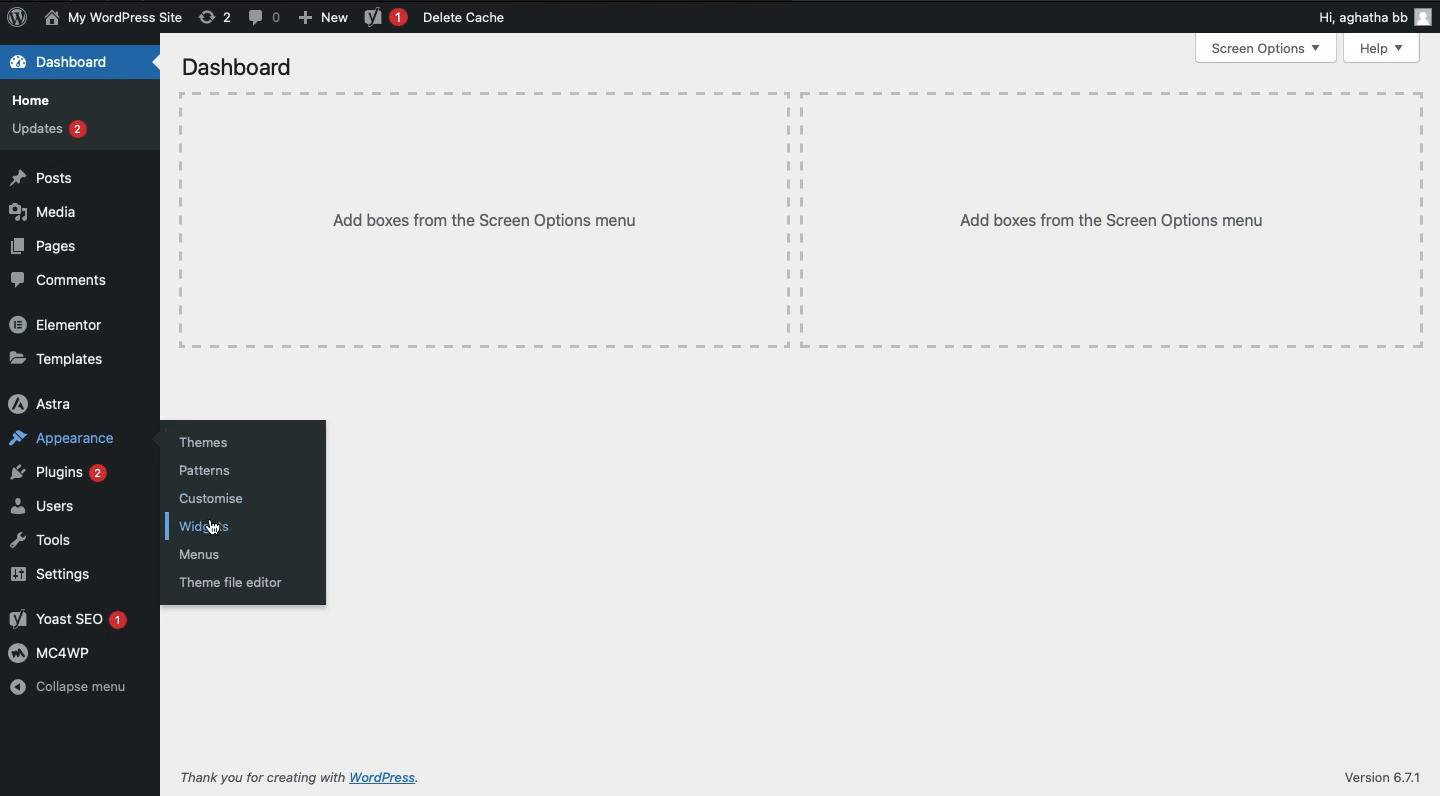 This screenshot has height=796, width=1440. What do you see at coordinates (60, 283) in the screenshot?
I see `Comments` at bounding box center [60, 283].